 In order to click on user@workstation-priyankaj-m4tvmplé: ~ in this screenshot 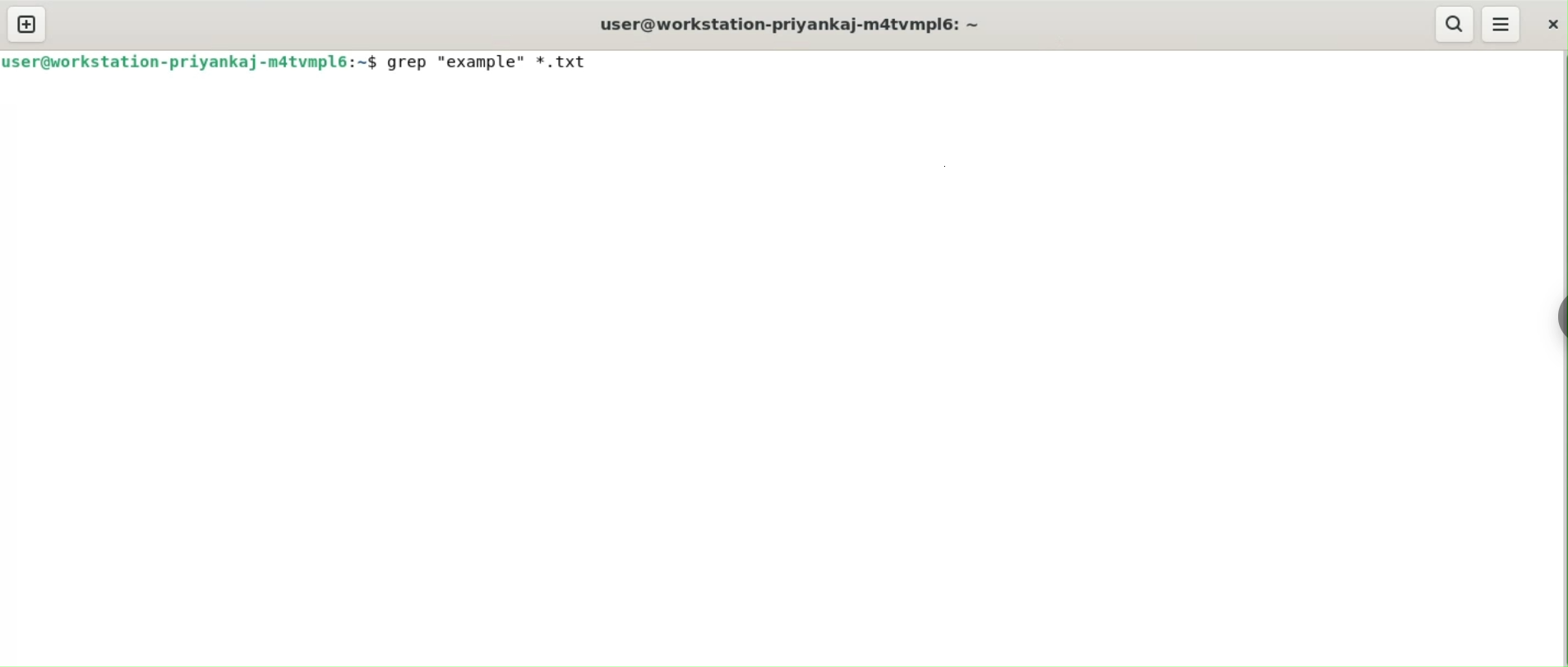, I will do `click(792, 25)`.